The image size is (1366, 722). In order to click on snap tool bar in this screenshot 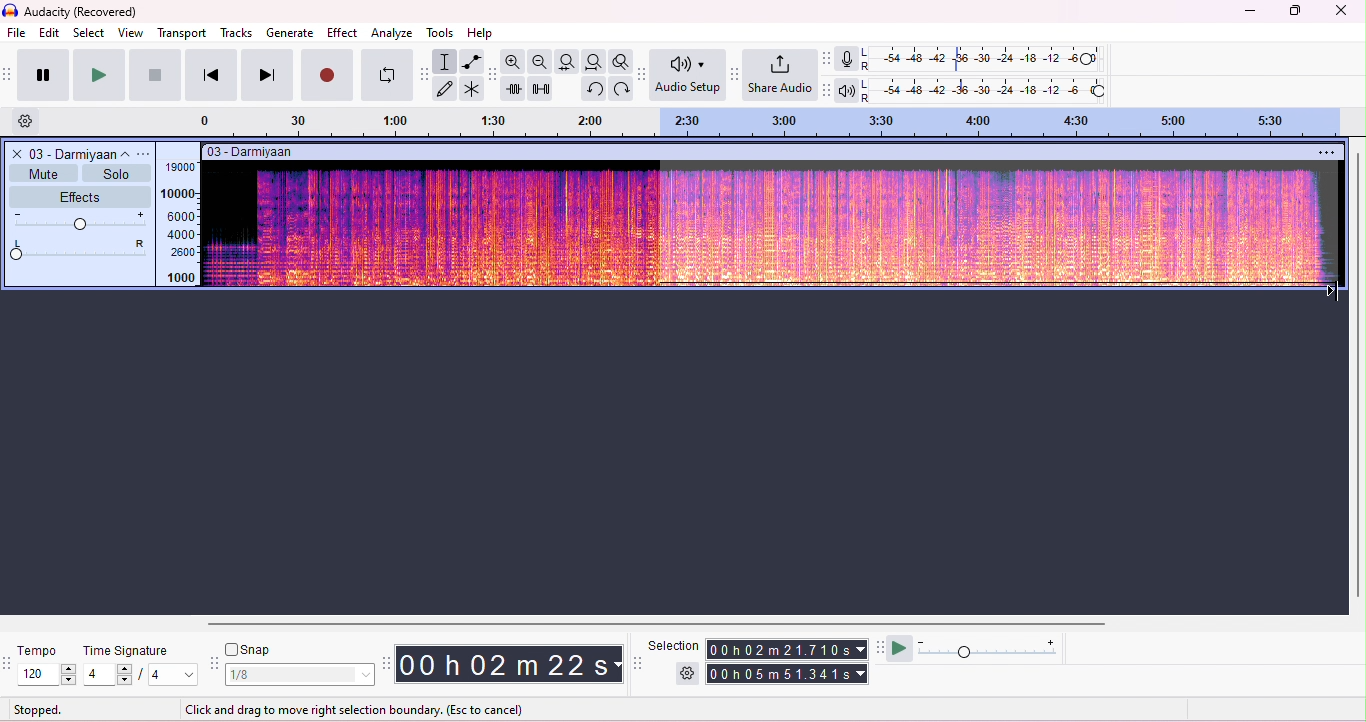, I will do `click(217, 664)`.